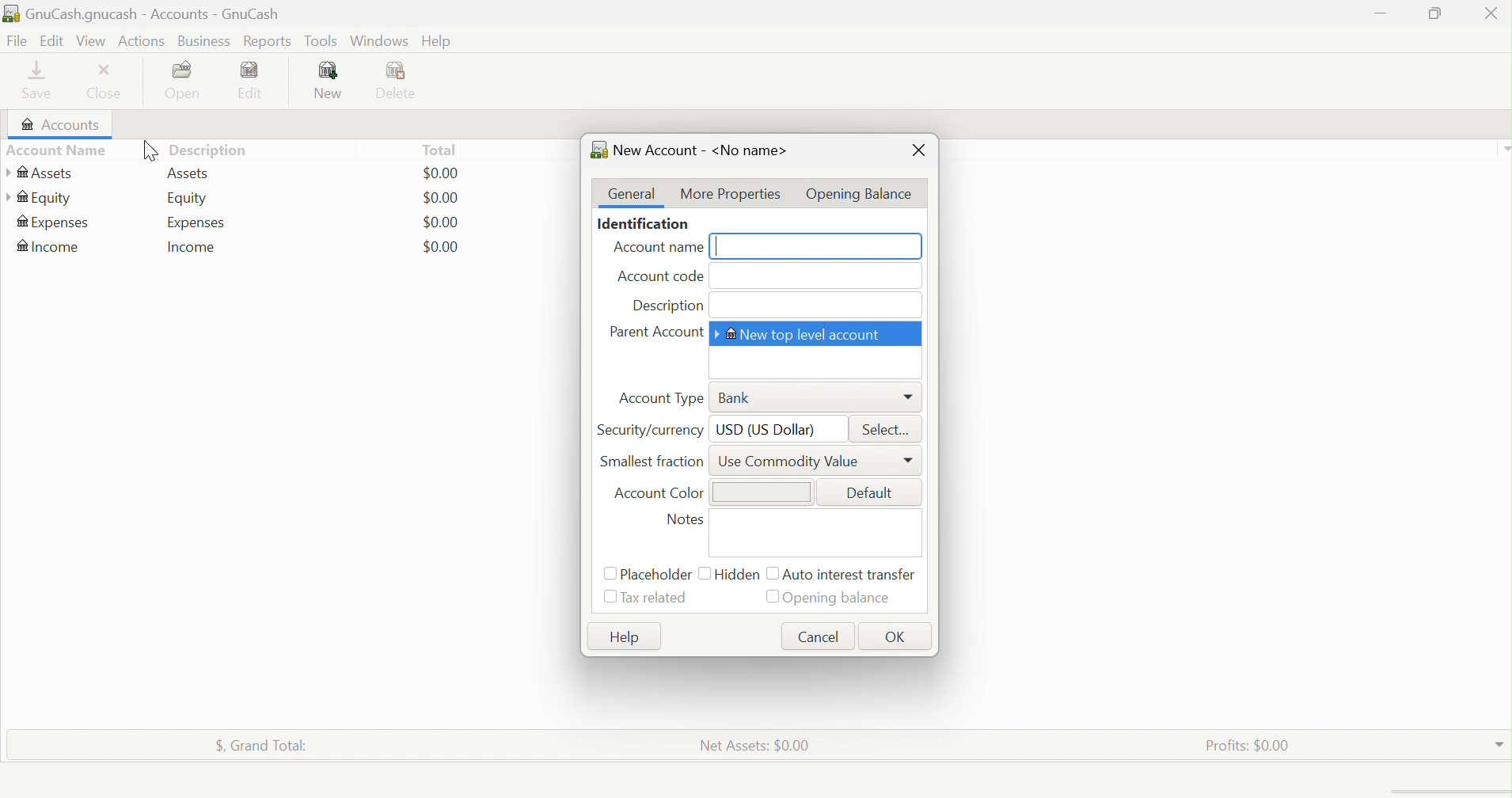 This screenshot has height=798, width=1512. What do you see at coordinates (330, 81) in the screenshot?
I see `New` at bounding box center [330, 81].